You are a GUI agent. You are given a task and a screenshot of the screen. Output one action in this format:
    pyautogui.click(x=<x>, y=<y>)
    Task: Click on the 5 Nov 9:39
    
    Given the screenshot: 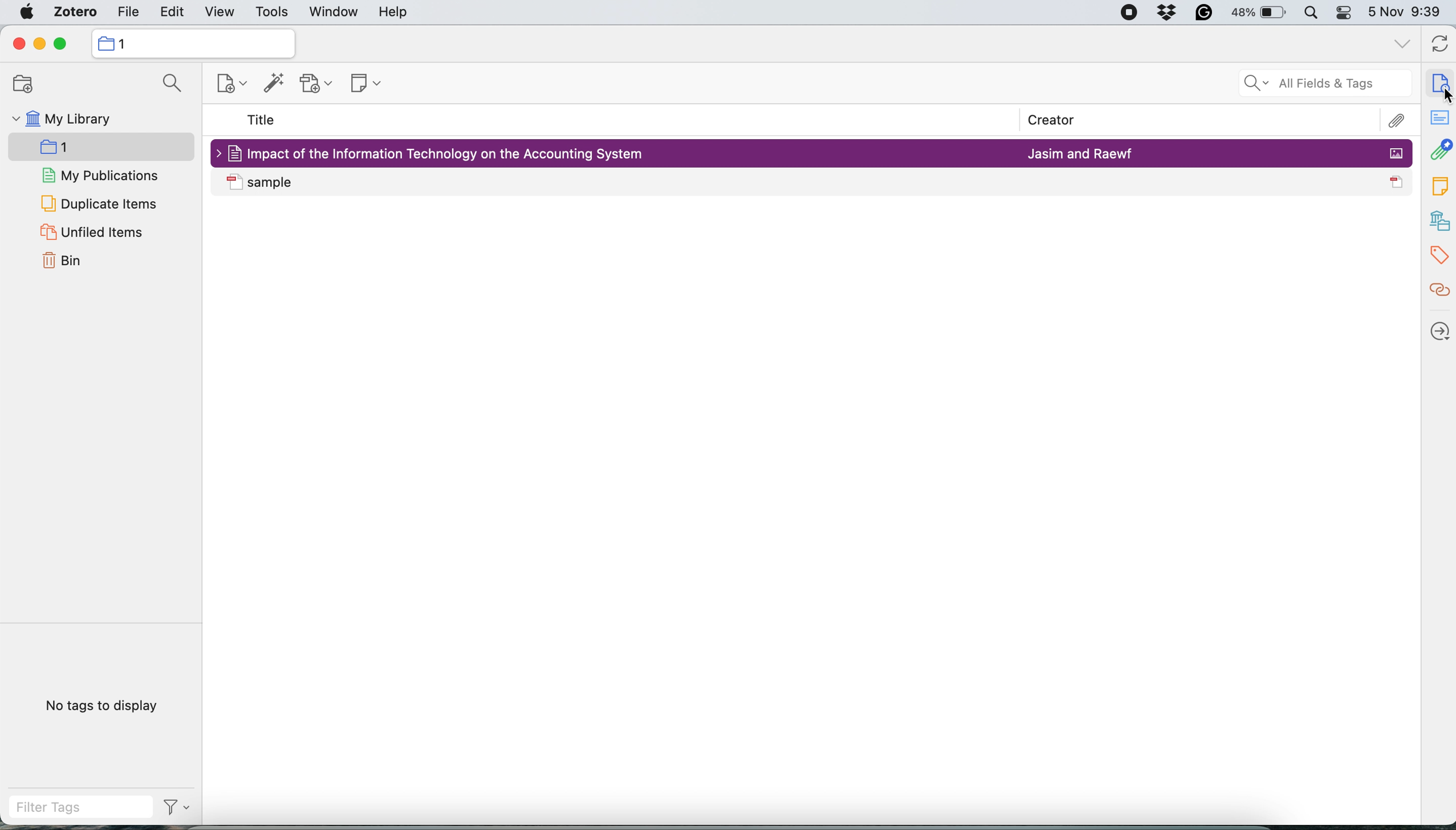 What is the action you would take?
    pyautogui.click(x=1406, y=11)
    